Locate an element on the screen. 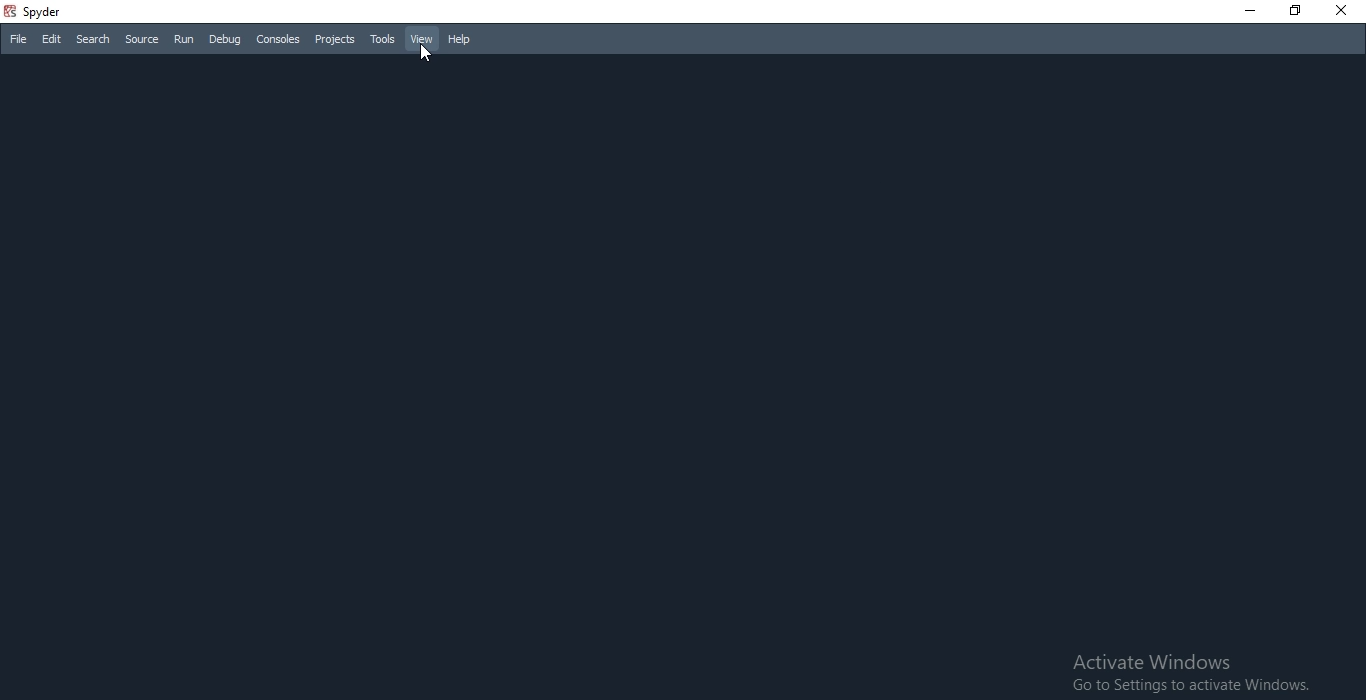 This screenshot has width=1366, height=700. Run is located at coordinates (186, 42).